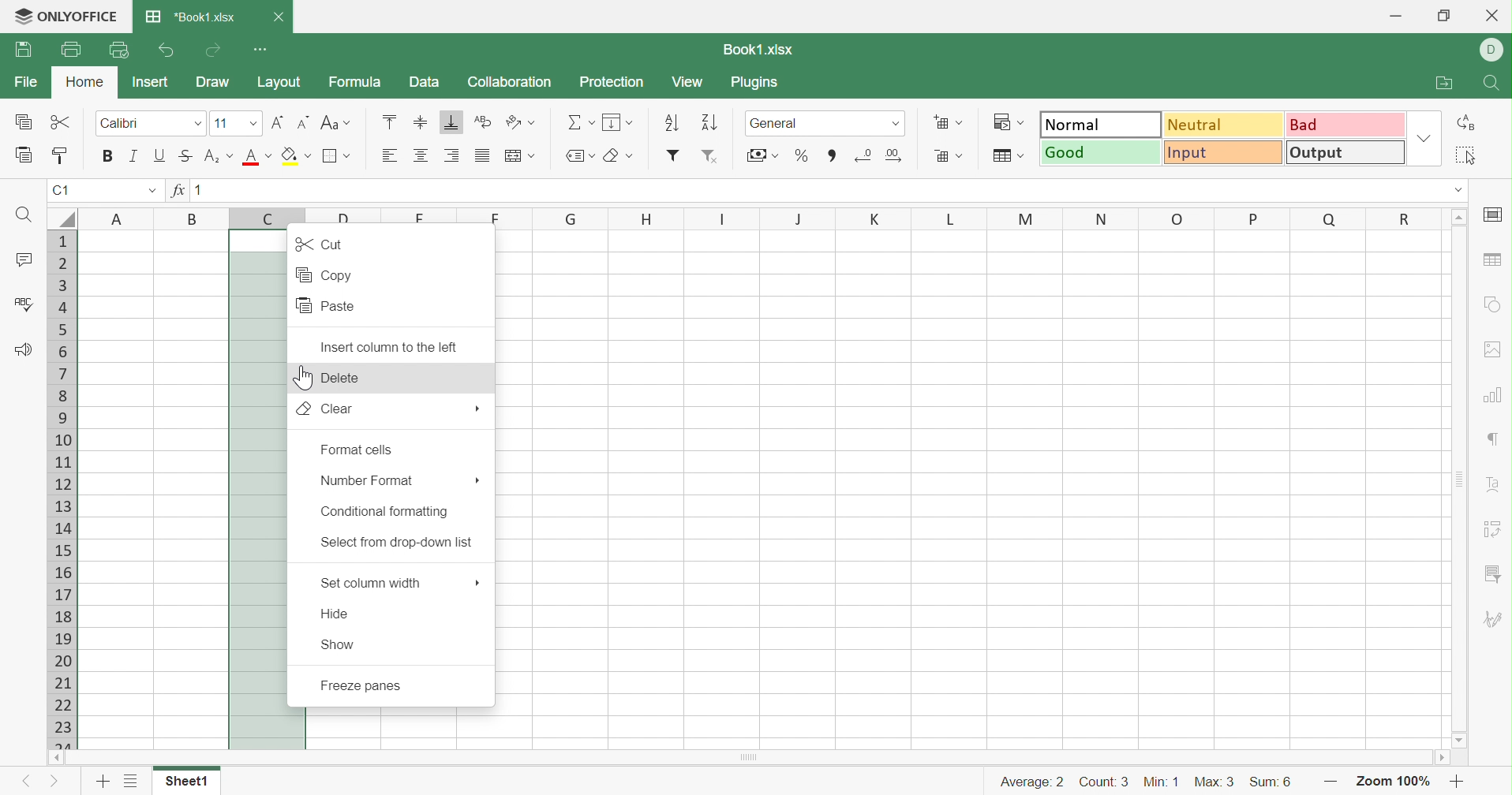 The height and width of the screenshot is (795, 1512). Describe the element at coordinates (513, 157) in the screenshot. I see `Merge and center` at that location.